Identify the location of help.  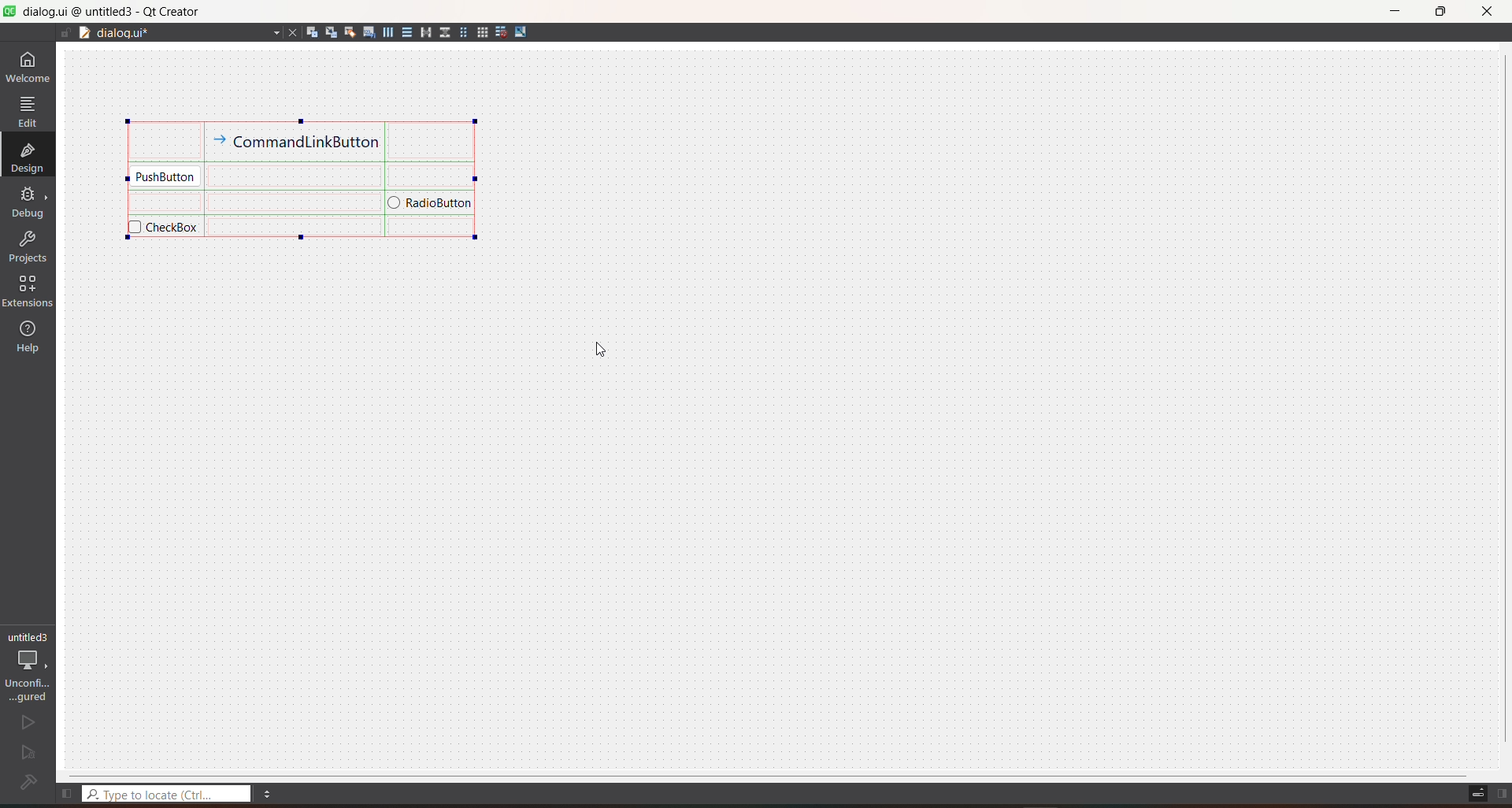
(28, 336).